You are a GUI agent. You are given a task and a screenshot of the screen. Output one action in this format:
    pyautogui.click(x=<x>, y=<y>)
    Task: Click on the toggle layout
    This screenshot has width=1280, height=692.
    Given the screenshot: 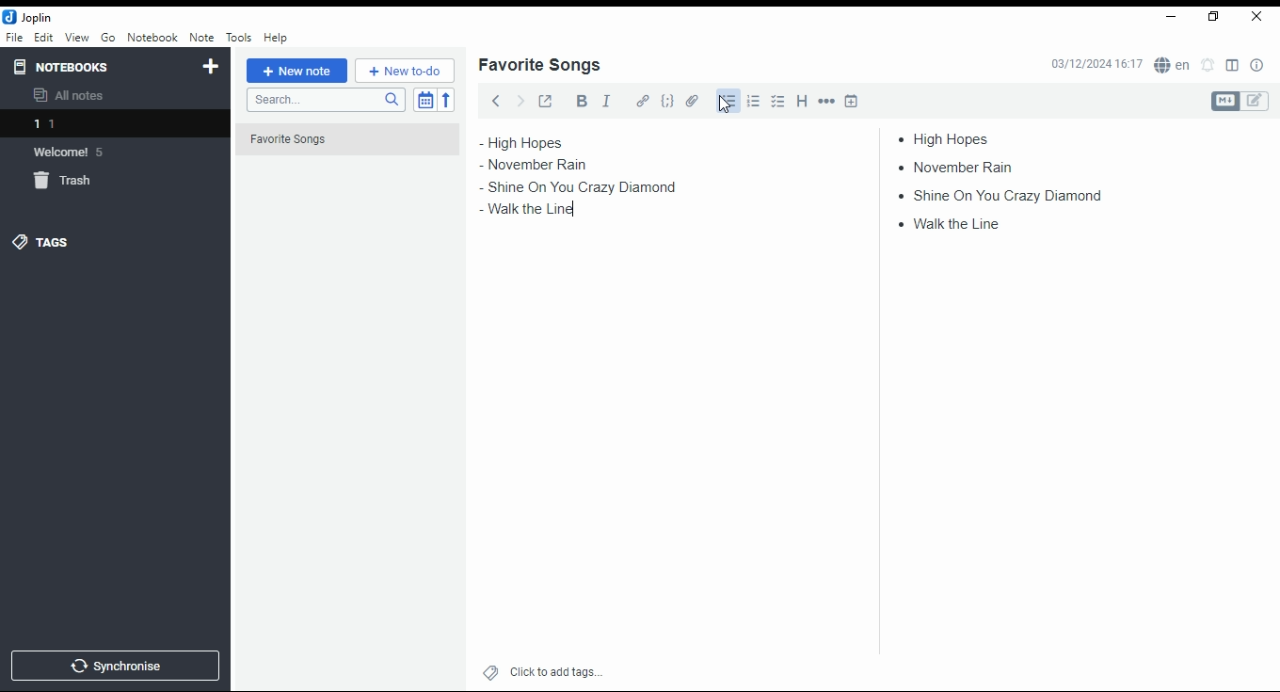 What is the action you would take?
    pyautogui.click(x=1233, y=66)
    